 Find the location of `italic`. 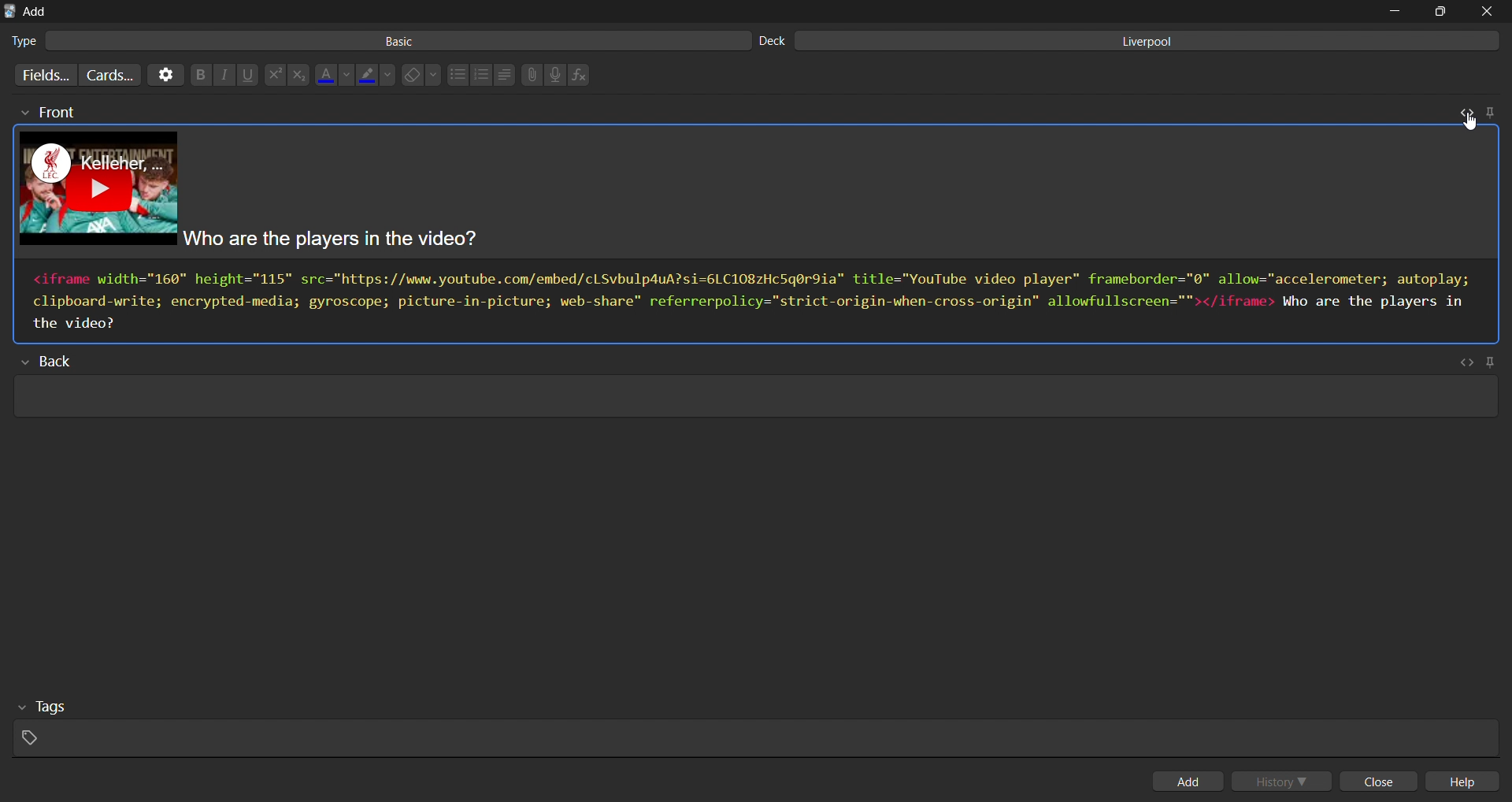

italic is located at coordinates (223, 76).